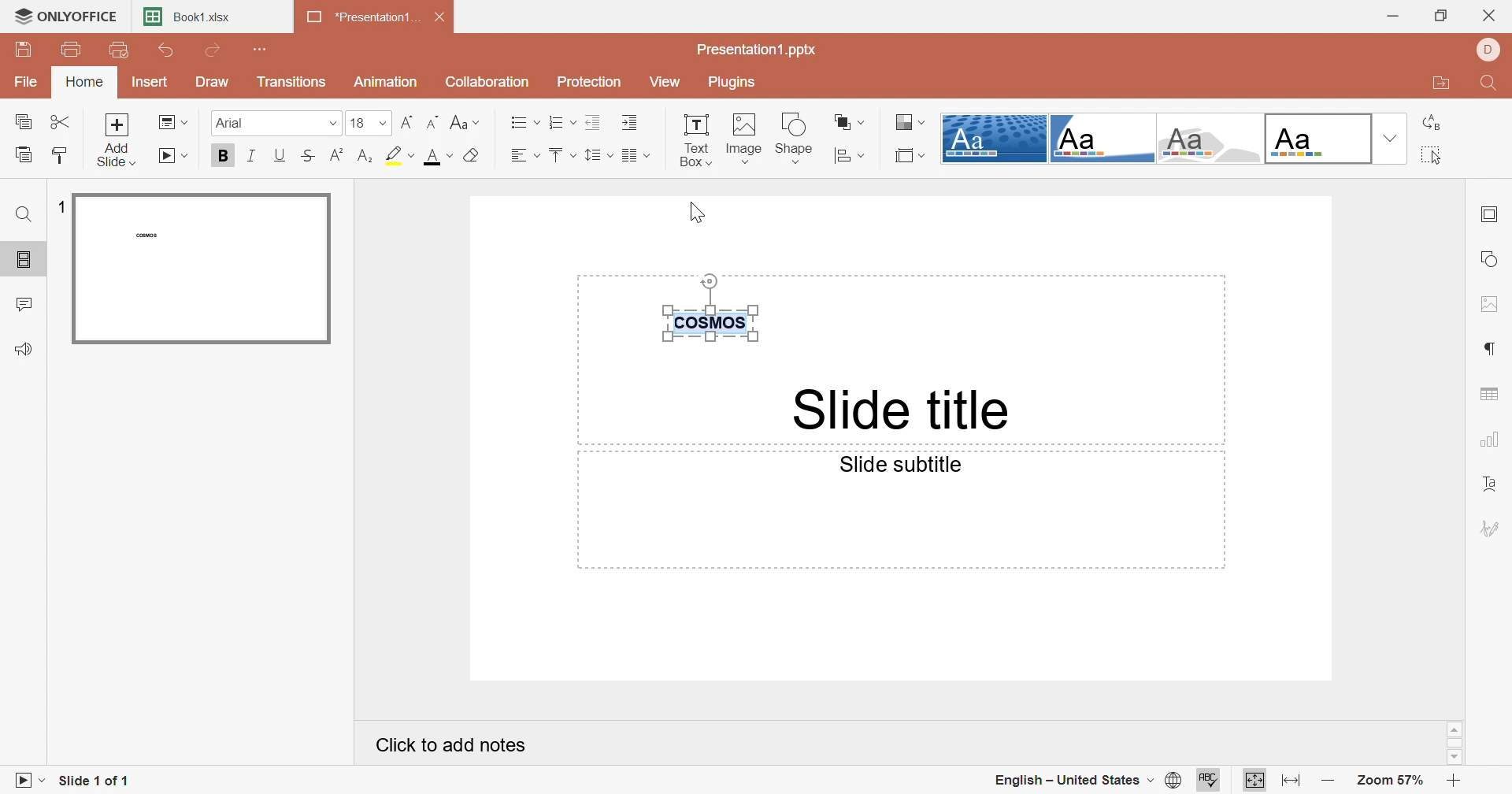  What do you see at coordinates (627, 122) in the screenshot?
I see `Increase indent` at bounding box center [627, 122].